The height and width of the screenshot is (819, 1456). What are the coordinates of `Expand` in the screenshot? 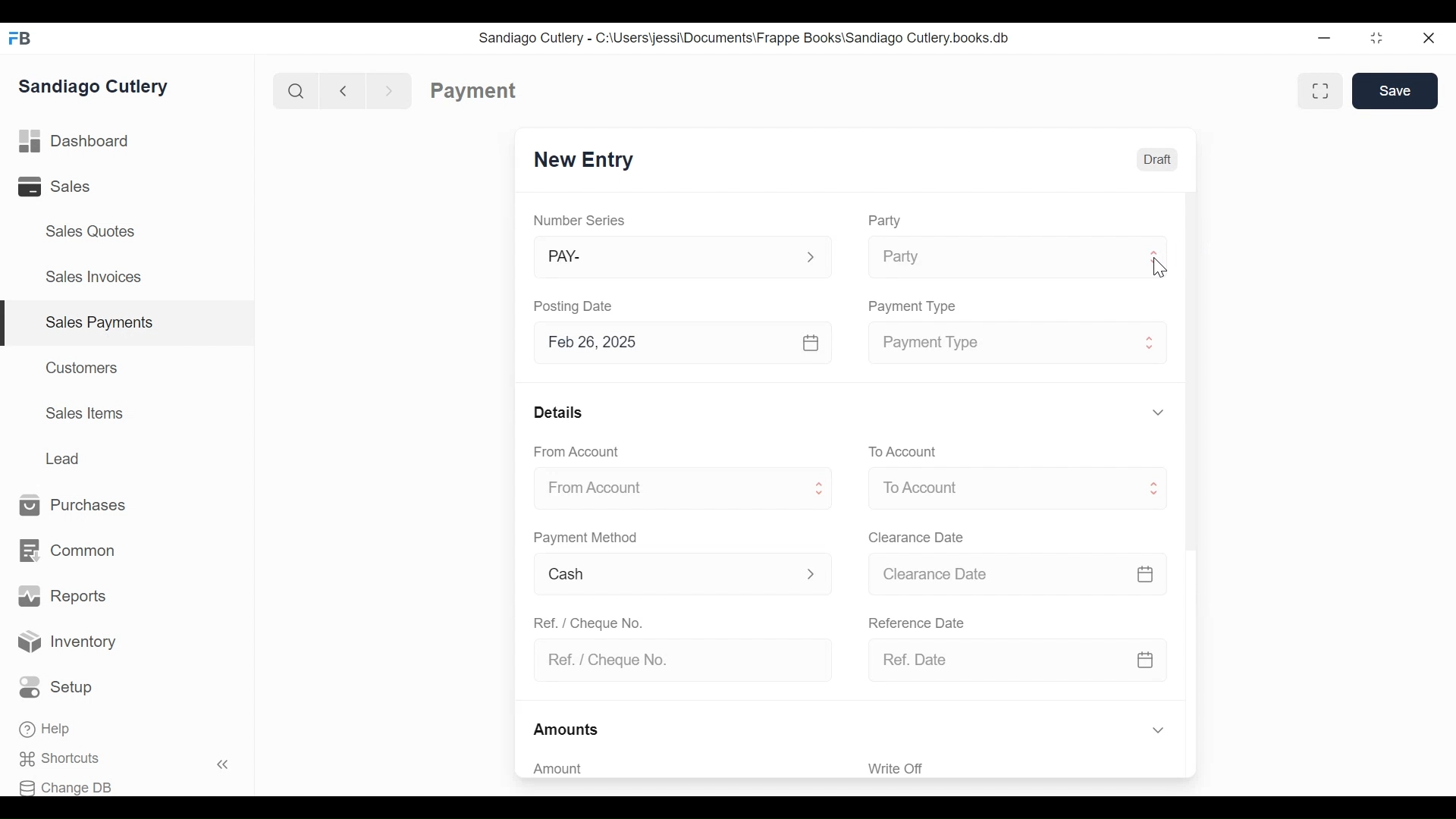 It's located at (811, 258).